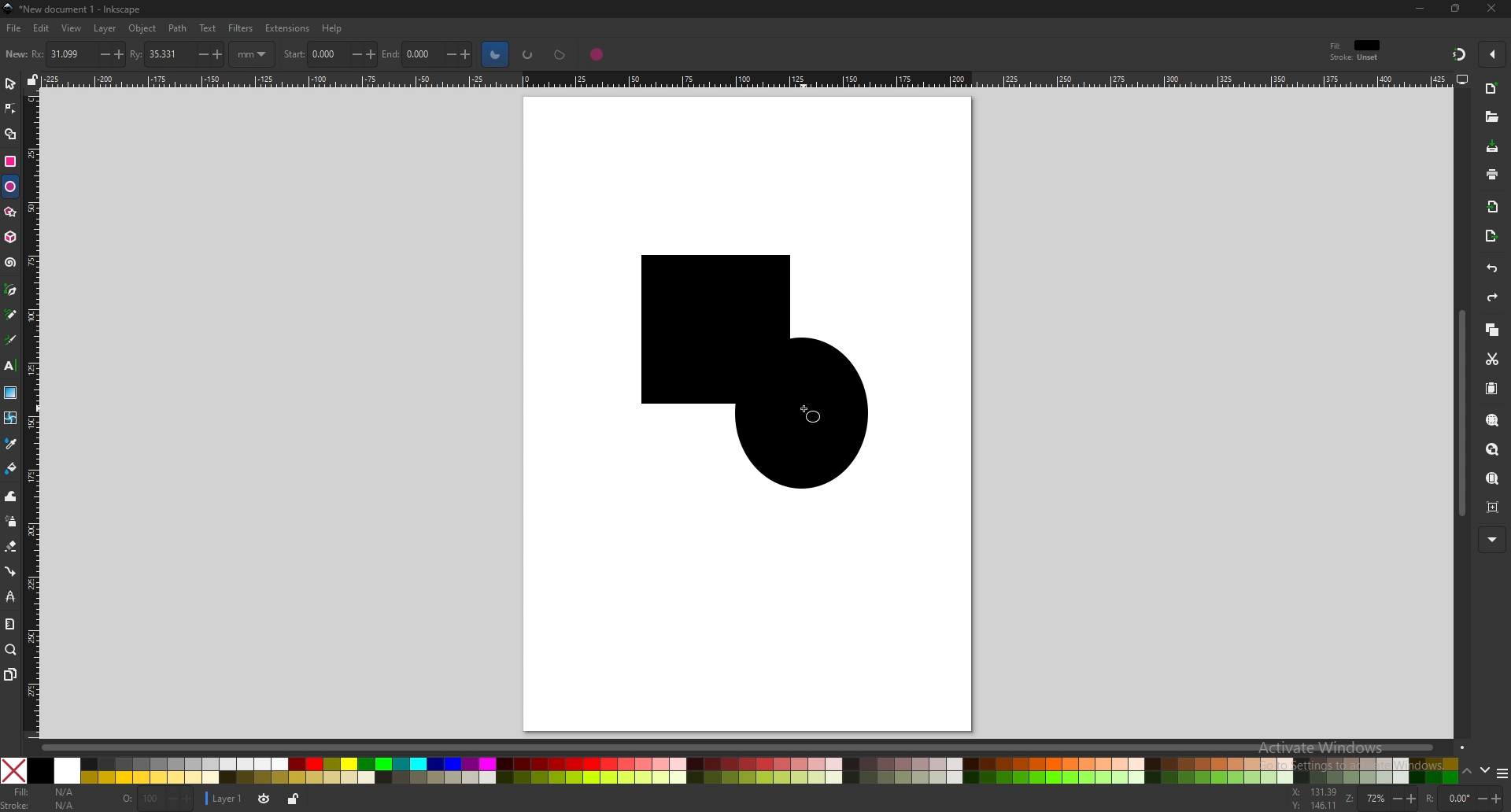 This screenshot has height=812, width=1511. Describe the element at coordinates (10, 212) in the screenshot. I see `star` at that location.